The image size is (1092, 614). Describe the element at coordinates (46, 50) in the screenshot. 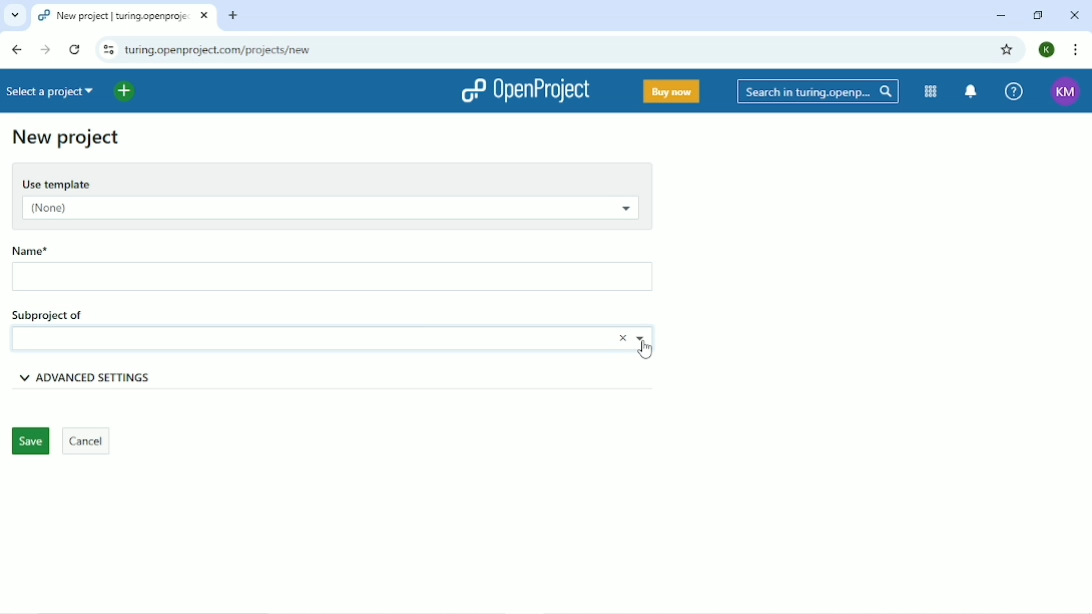

I see `Forward` at that location.